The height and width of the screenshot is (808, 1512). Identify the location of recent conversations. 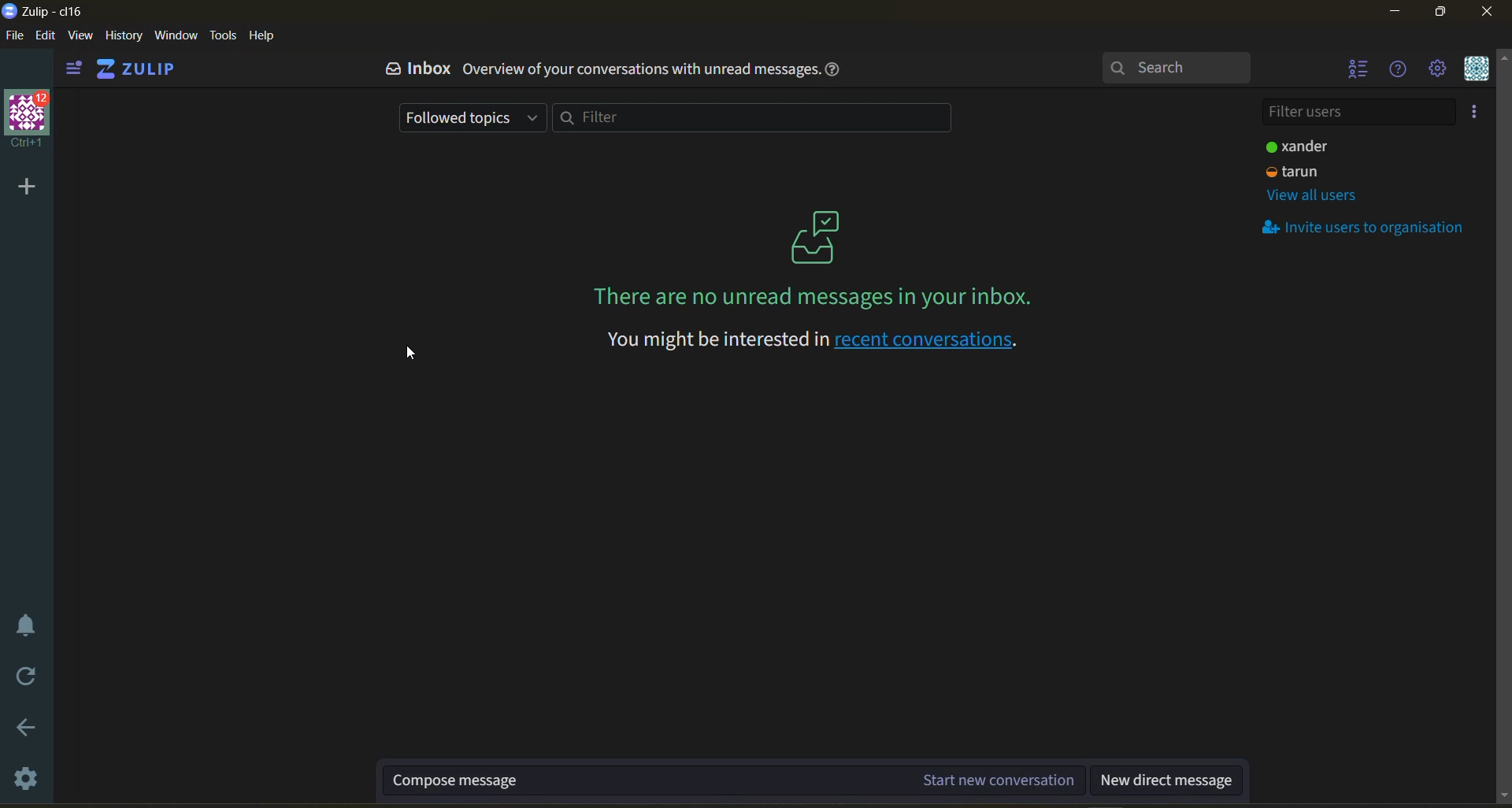
(806, 343).